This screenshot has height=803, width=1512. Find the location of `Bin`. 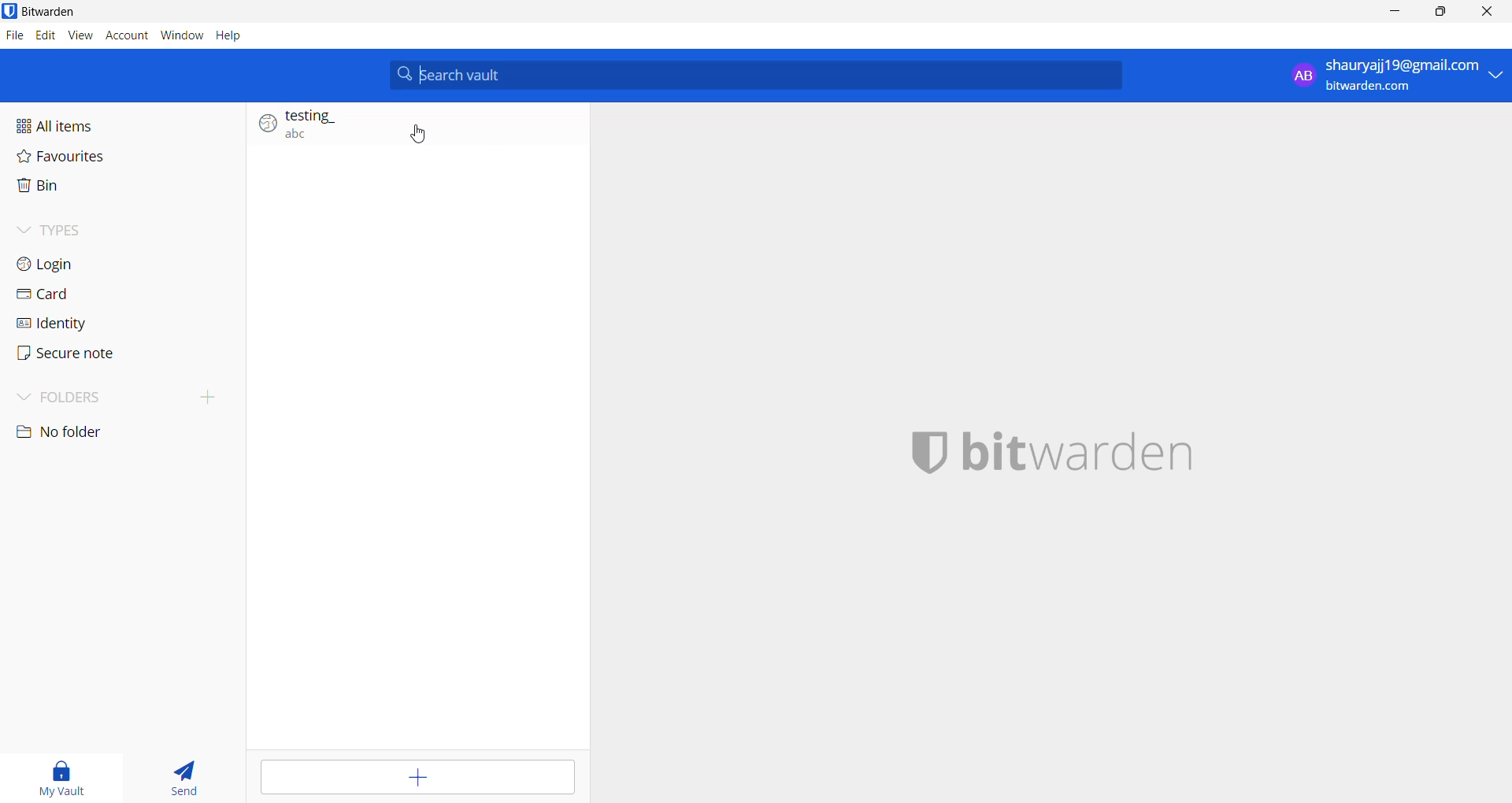

Bin is located at coordinates (114, 187).